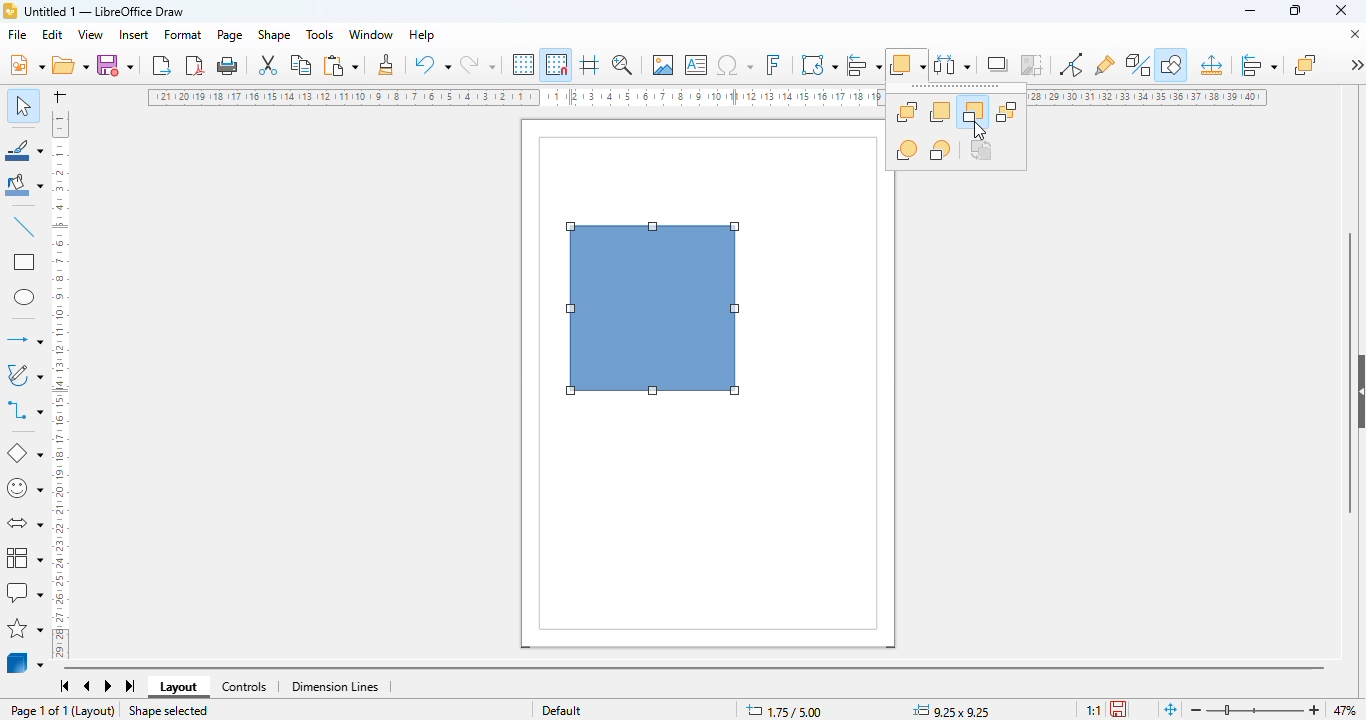 This screenshot has width=1366, height=720. What do you see at coordinates (23, 339) in the screenshot?
I see `lines and arrows` at bounding box center [23, 339].